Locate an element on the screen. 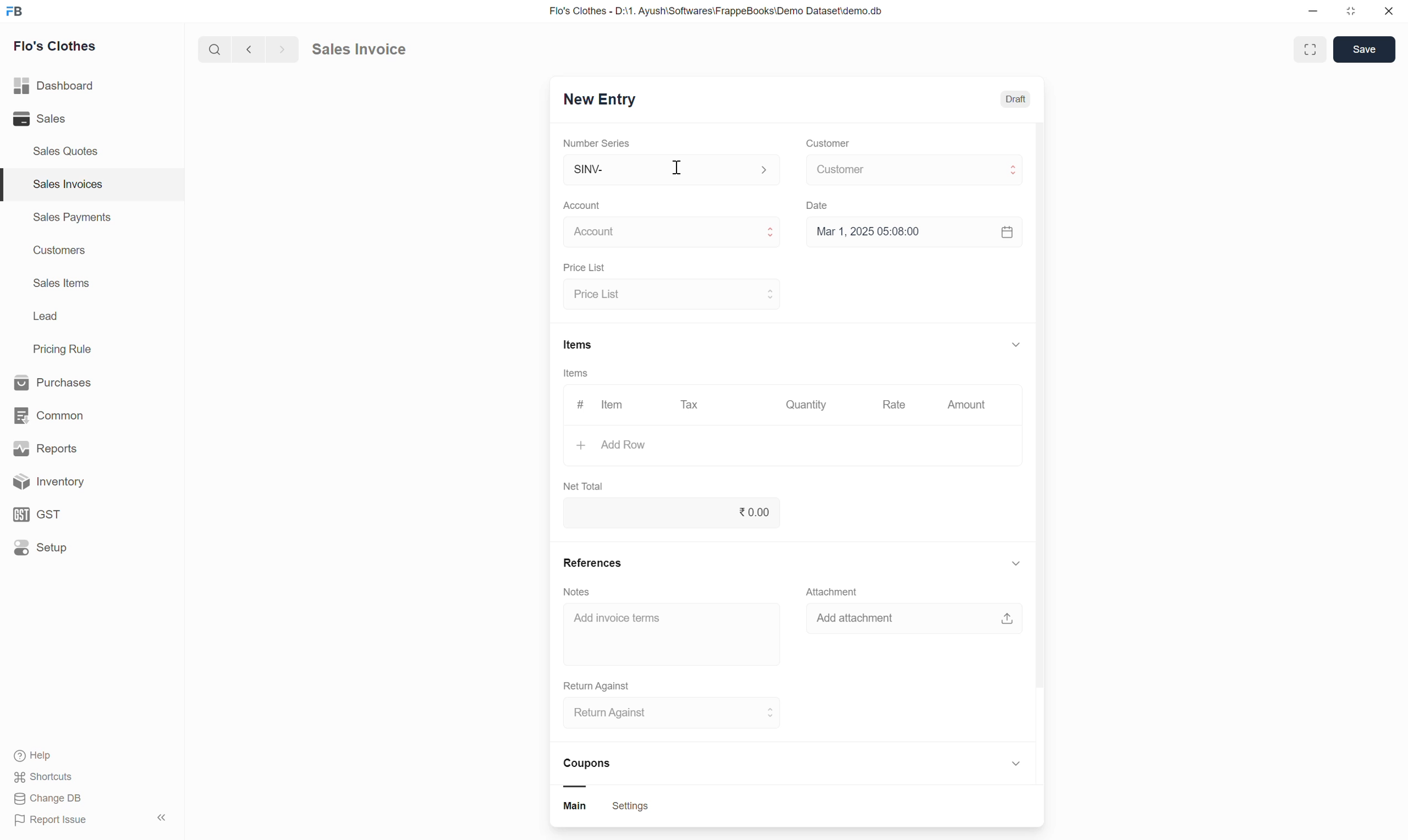 This screenshot has height=840, width=1408. Notes is located at coordinates (577, 591).